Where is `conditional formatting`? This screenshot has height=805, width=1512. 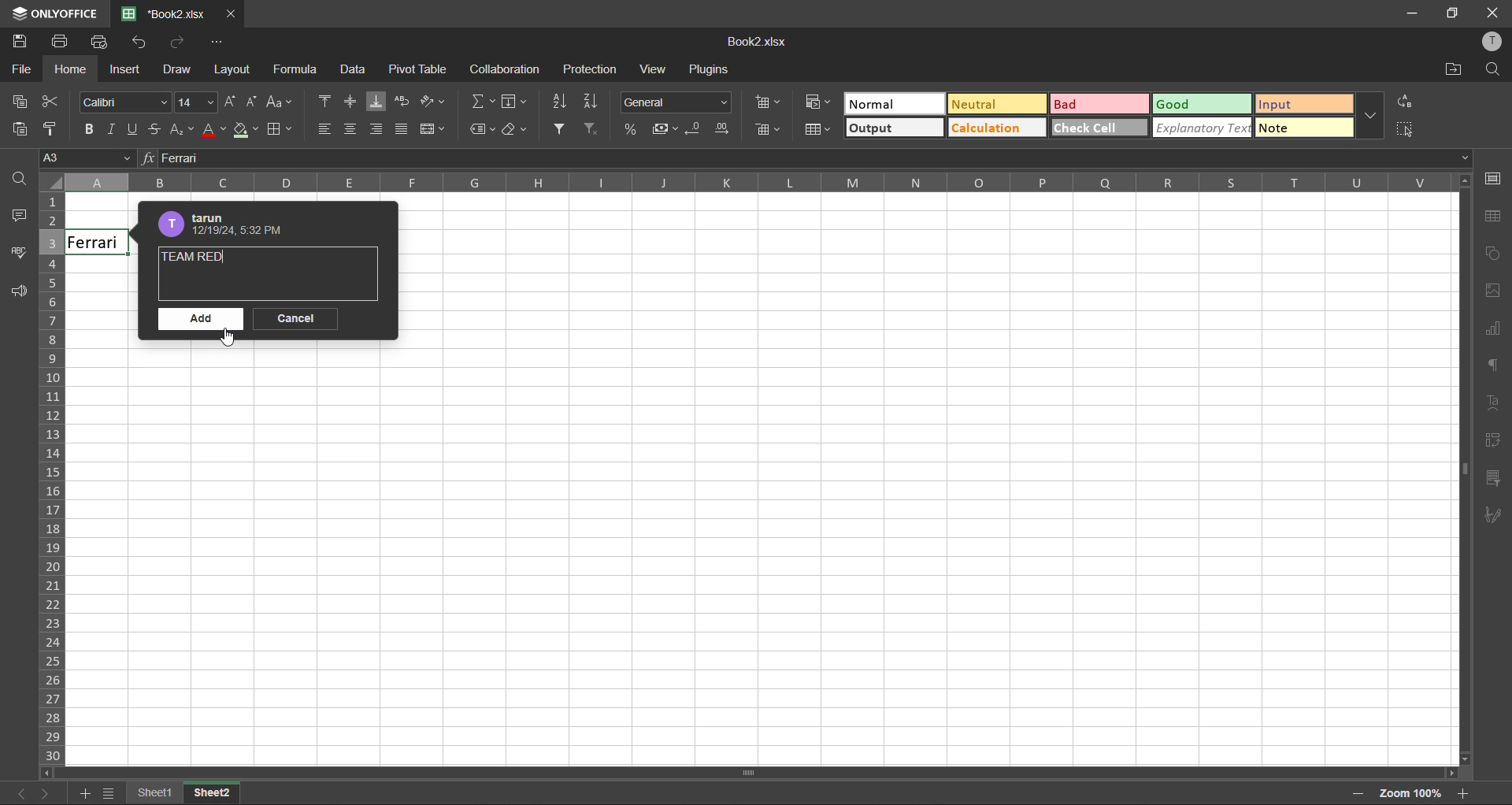
conditional formatting is located at coordinates (815, 102).